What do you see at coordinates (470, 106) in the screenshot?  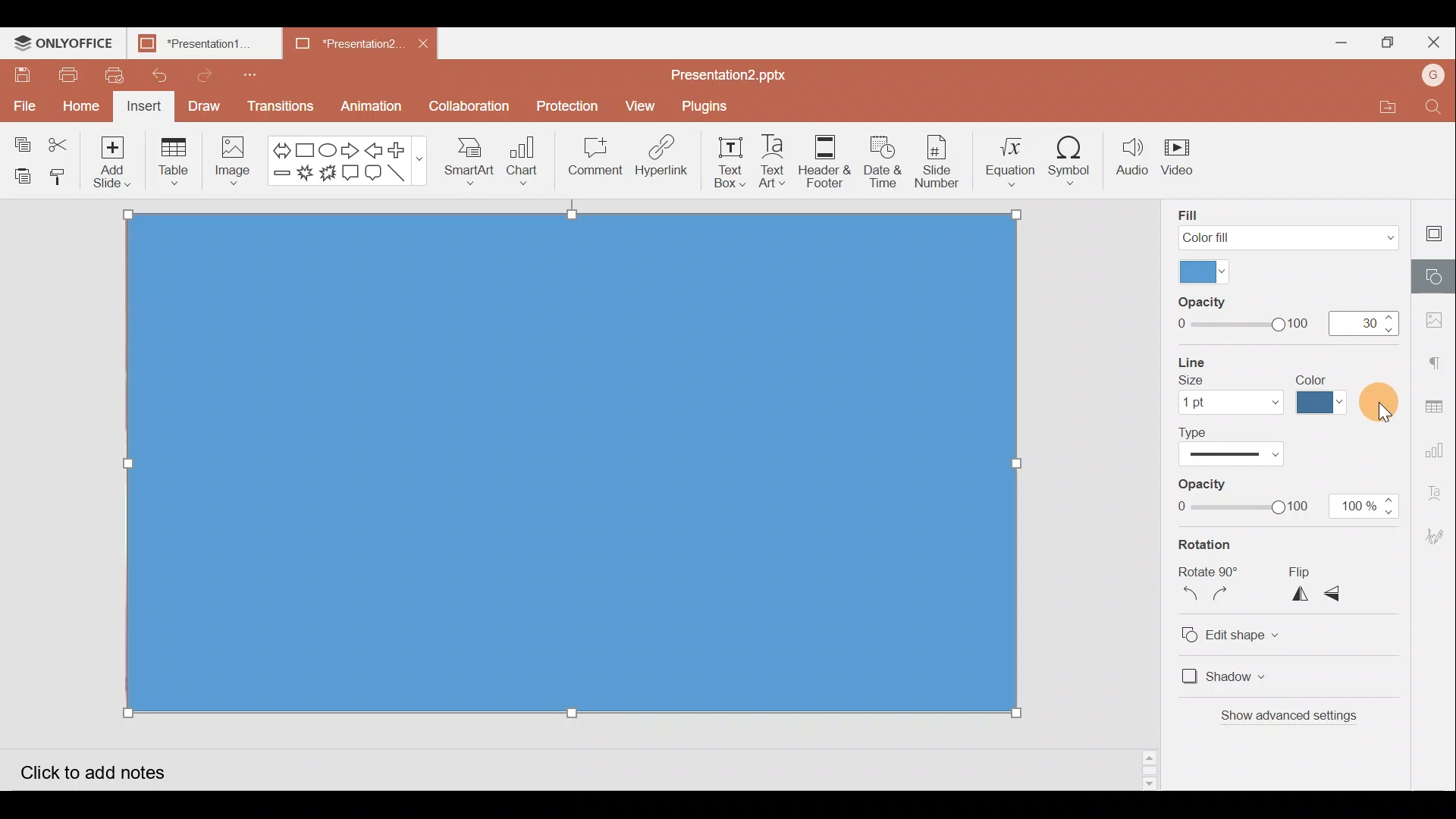 I see `Collaboration` at bounding box center [470, 106].